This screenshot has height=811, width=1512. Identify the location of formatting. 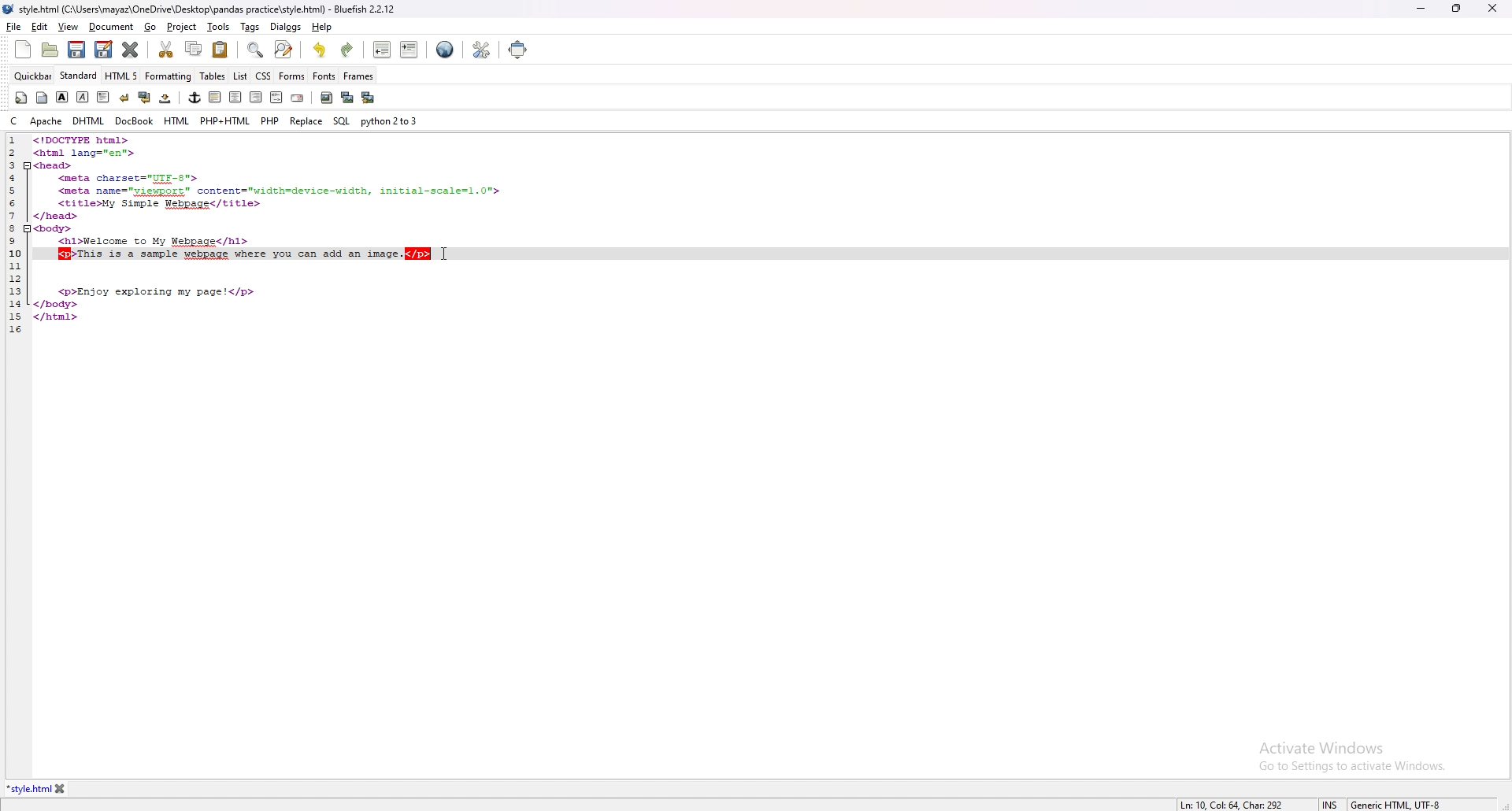
(169, 76).